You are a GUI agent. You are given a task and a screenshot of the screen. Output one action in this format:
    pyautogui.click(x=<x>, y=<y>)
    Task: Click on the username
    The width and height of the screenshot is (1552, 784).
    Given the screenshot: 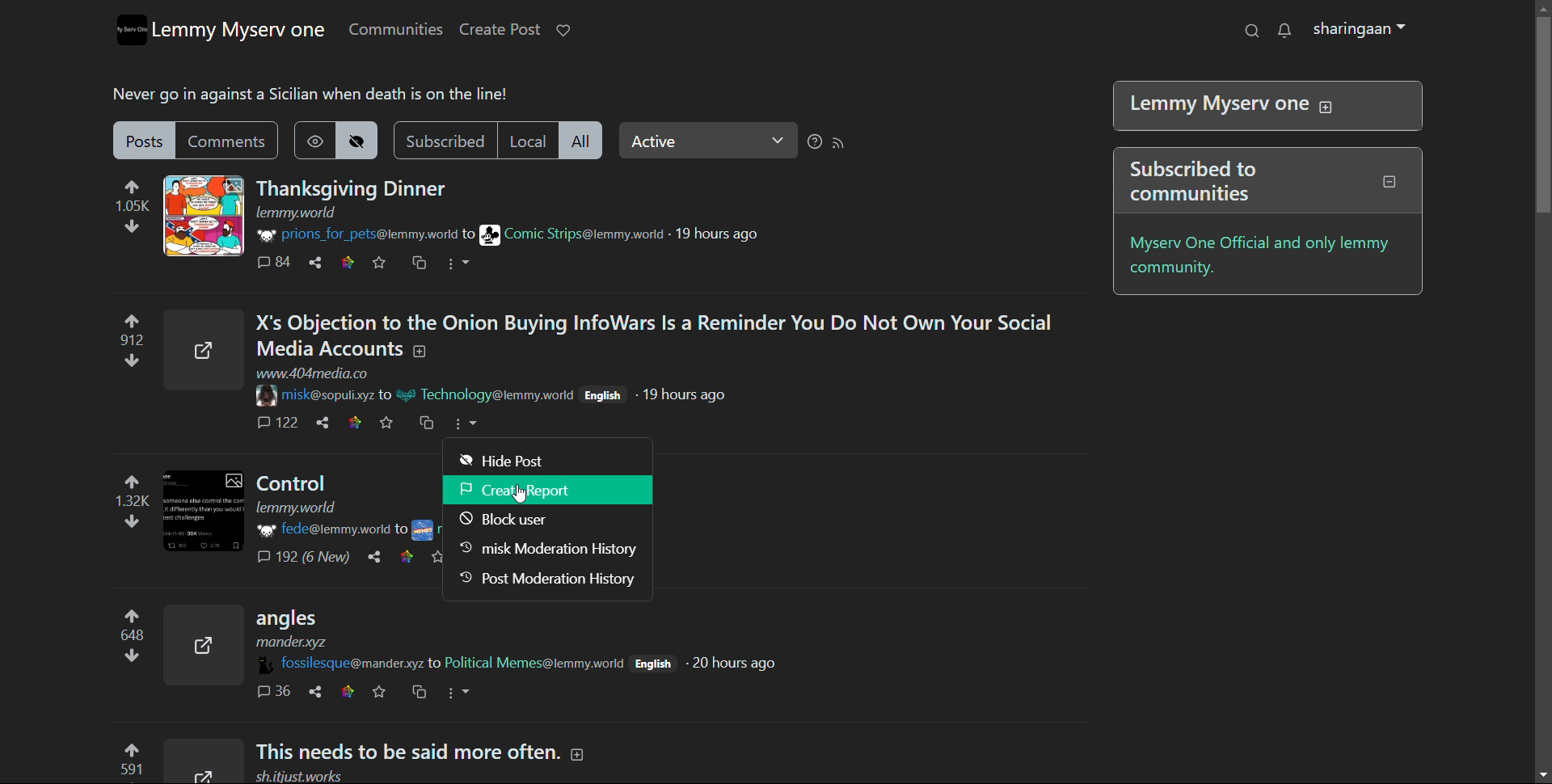 What is the action you would take?
    pyautogui.click(x=359, y=236)
    